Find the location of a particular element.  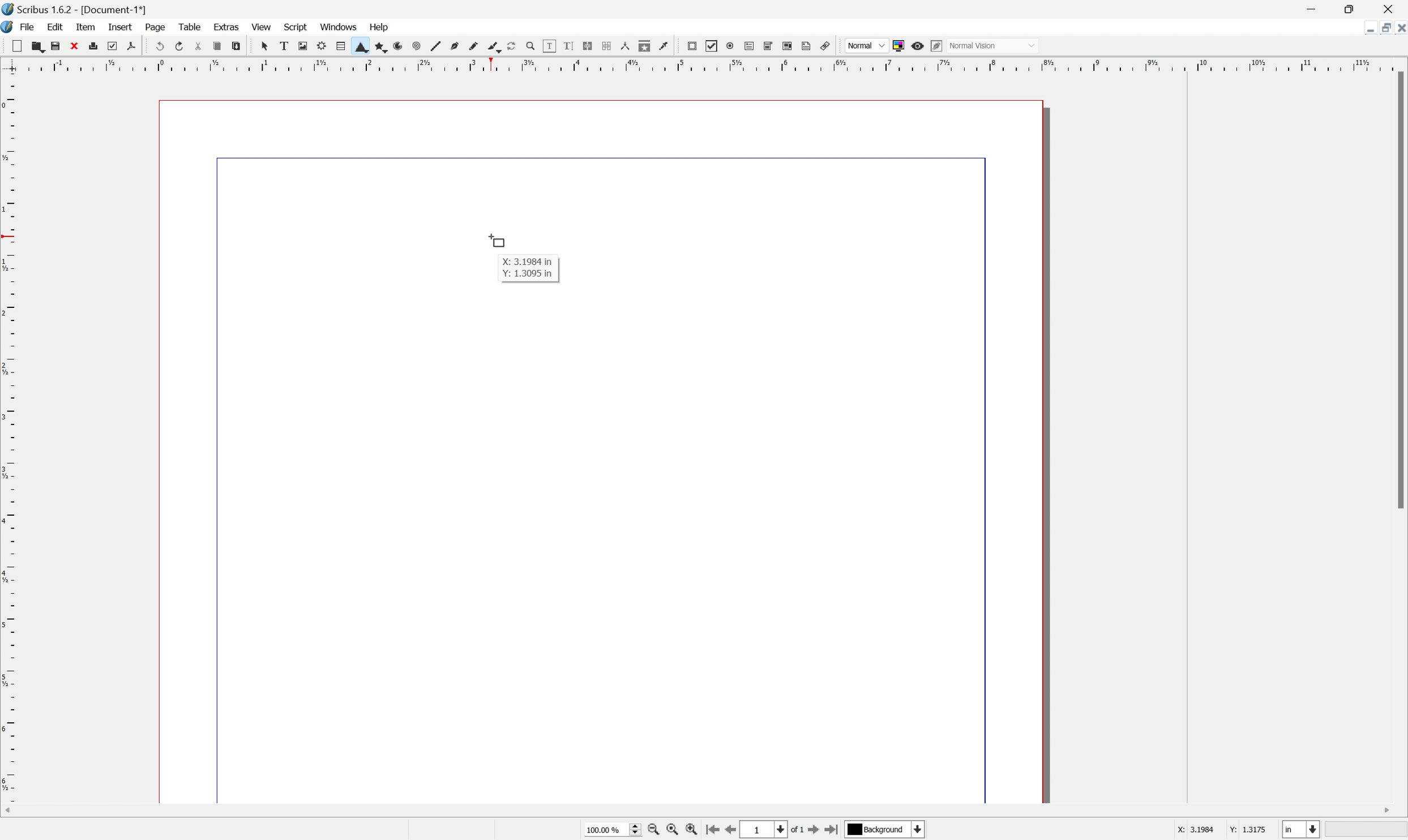

Preview mode is located at coordinates (917, 46).